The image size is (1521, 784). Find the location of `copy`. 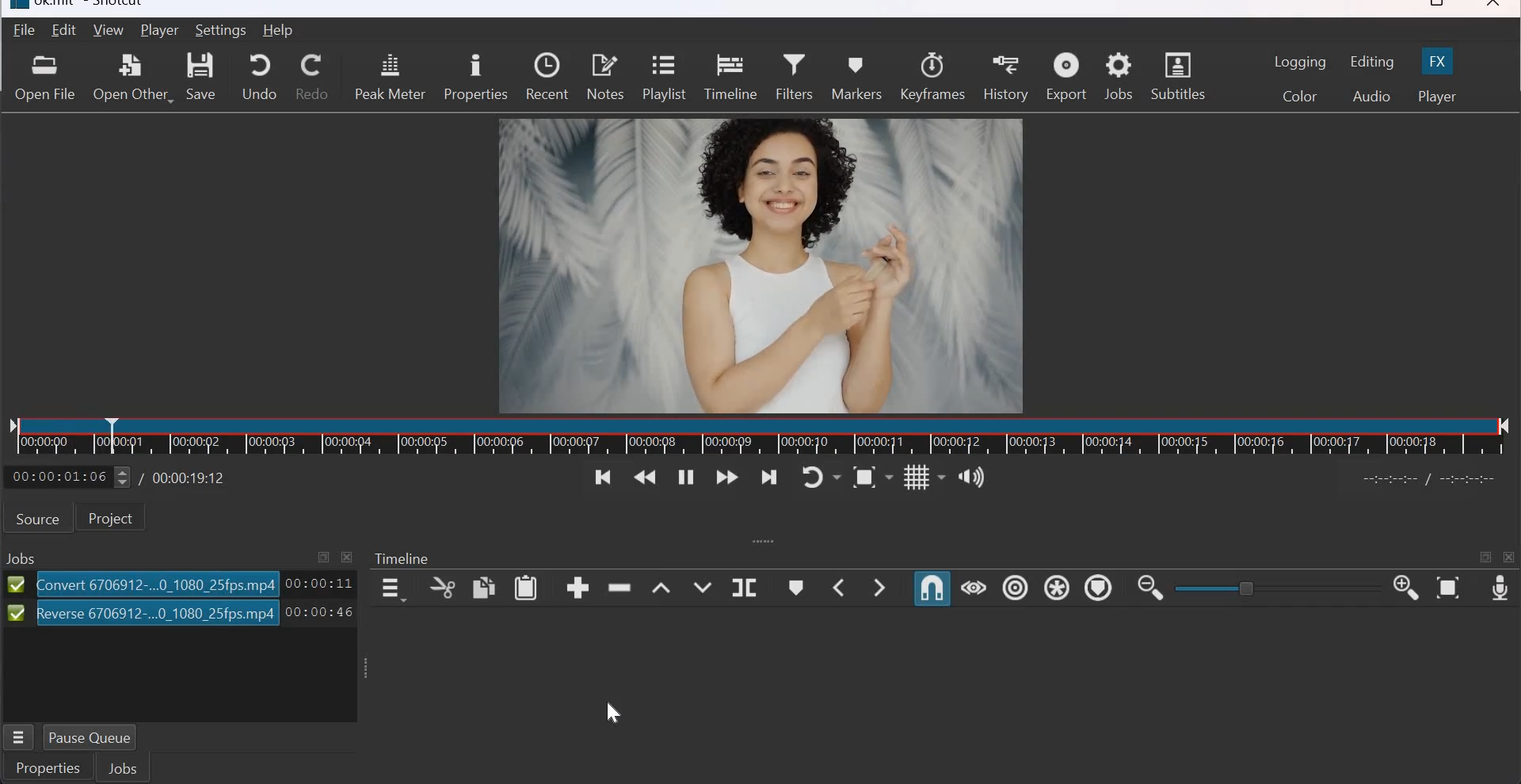

copy is located at coordinates (483, 587).